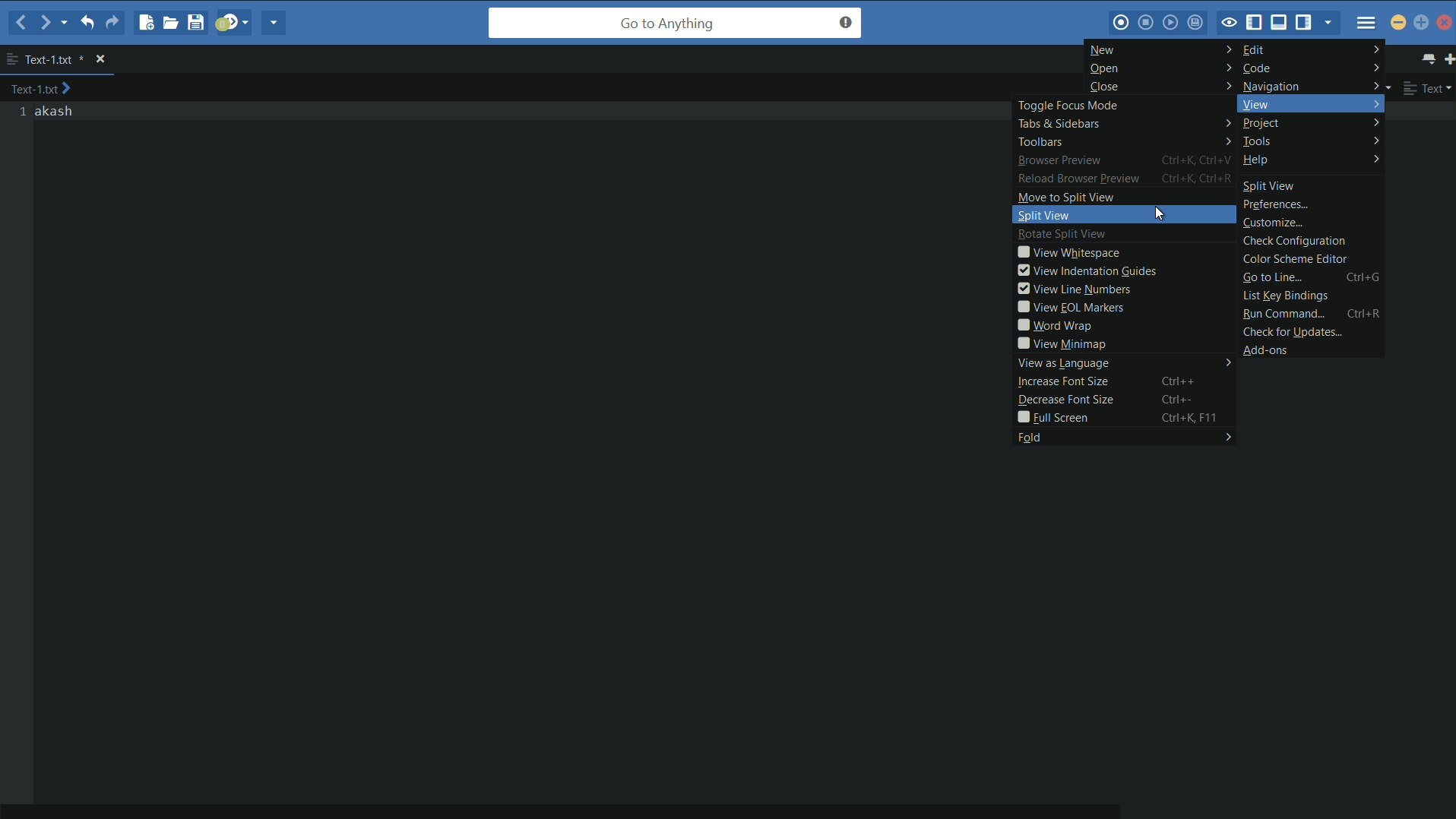 This screenshot has width=1456, height=819. What do you see at coordinates (1311, 49) in the screenshot?
I see `edit` at bounding box center [1311, 49].